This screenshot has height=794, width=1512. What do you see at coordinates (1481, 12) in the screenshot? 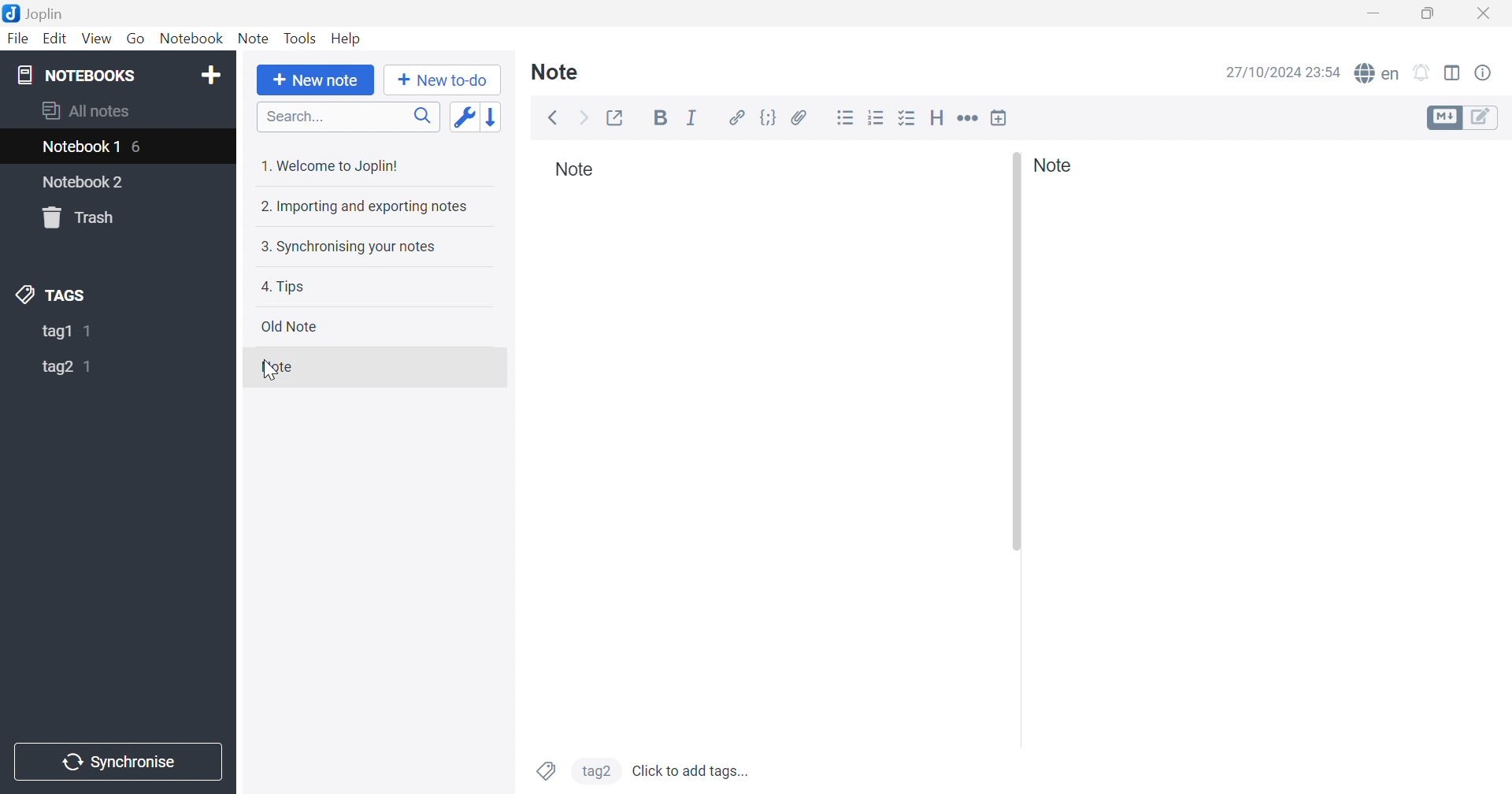
I see `Close` at bounding box center [1481, 12].